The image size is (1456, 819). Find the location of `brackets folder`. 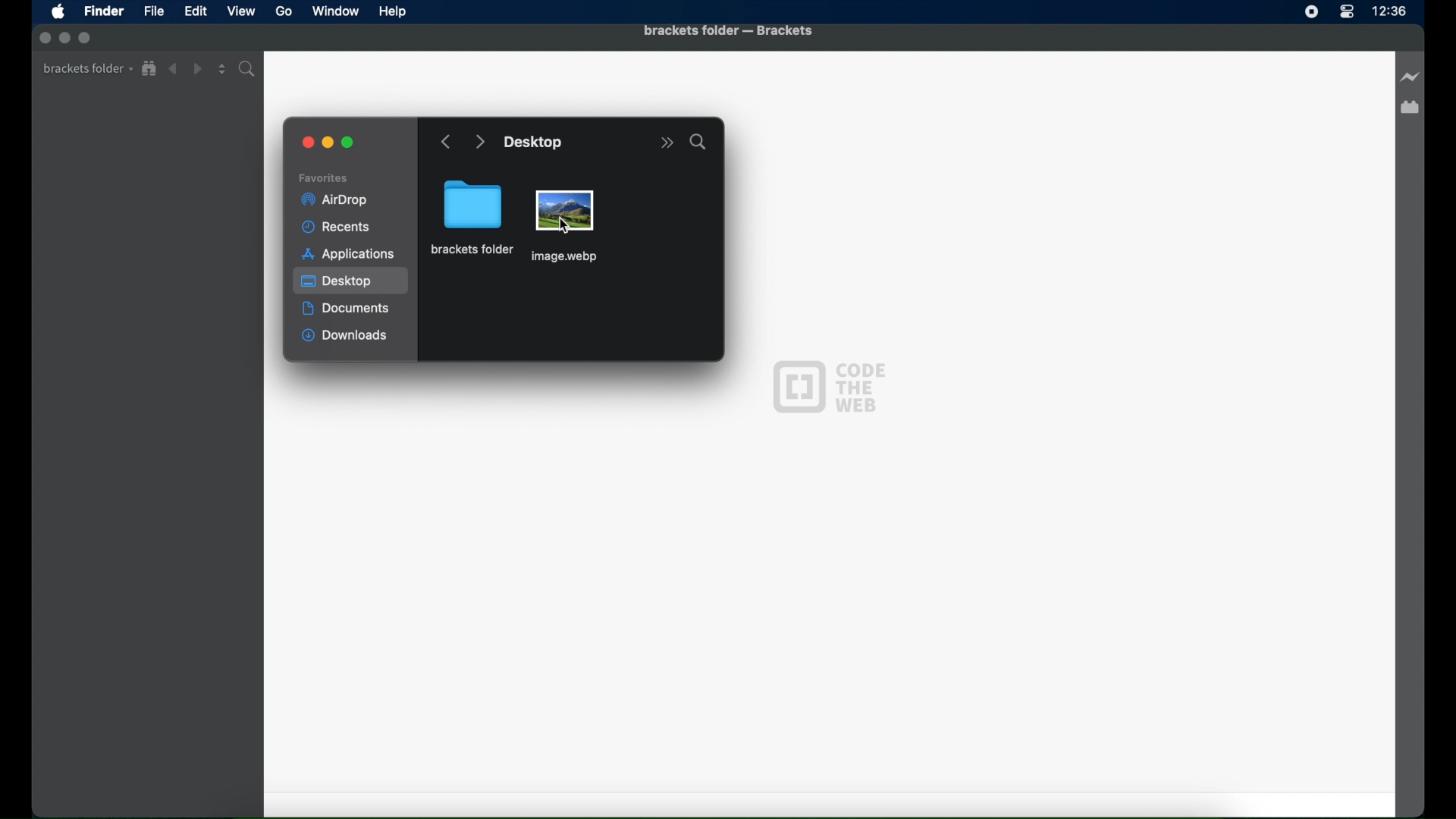

brackets folder is located at coordinates (88, 69).